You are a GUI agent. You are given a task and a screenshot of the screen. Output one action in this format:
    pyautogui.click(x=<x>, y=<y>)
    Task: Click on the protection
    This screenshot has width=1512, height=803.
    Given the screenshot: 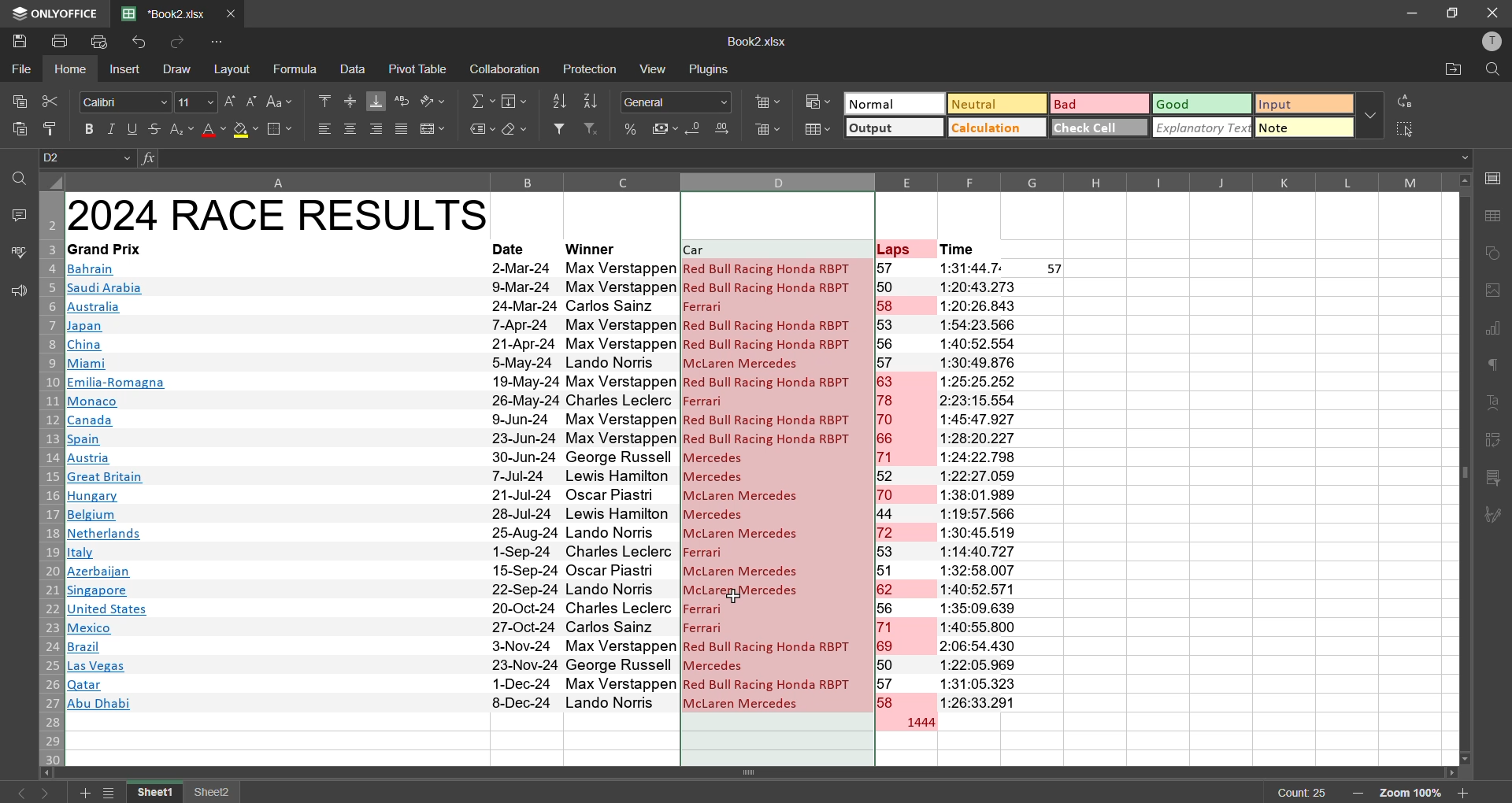 What is the action you would take?
    pyautogui.click(x=592, y=71)
    